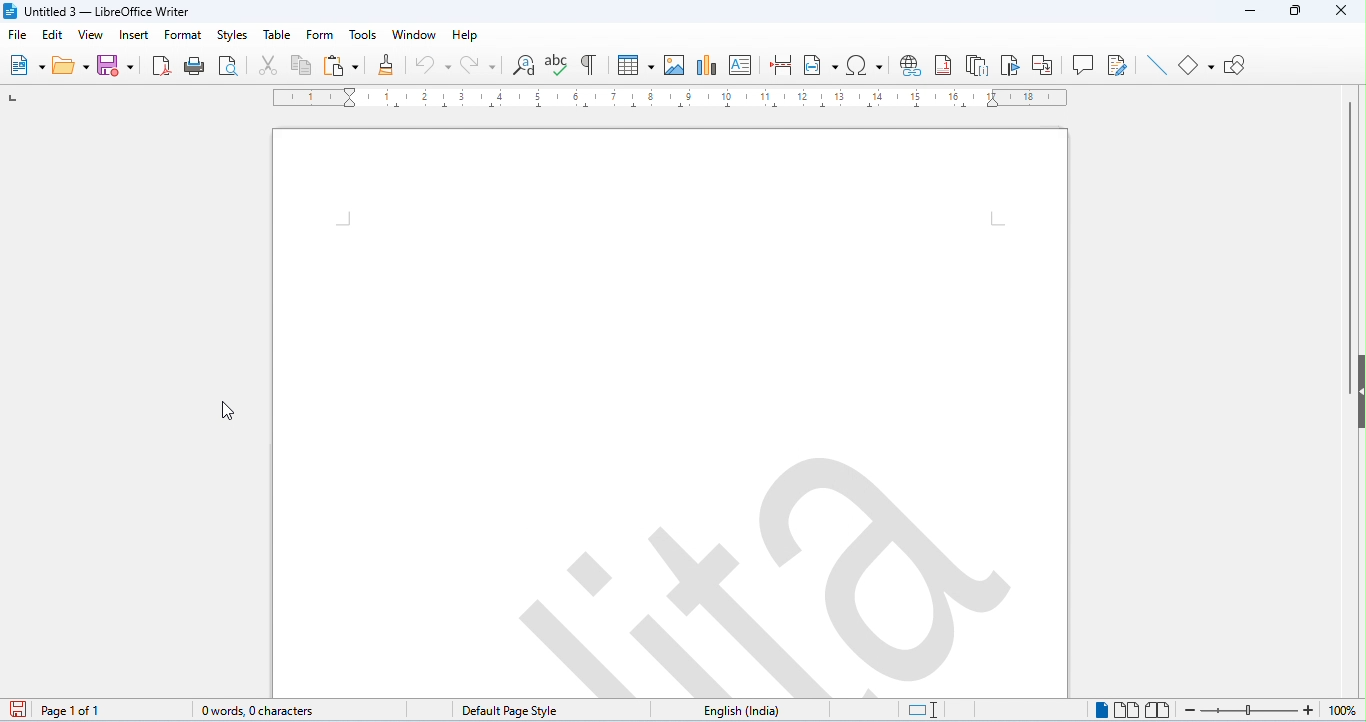 The width and height of the screenshot is (1366, 722). I want to click on table, so click(279, 35).